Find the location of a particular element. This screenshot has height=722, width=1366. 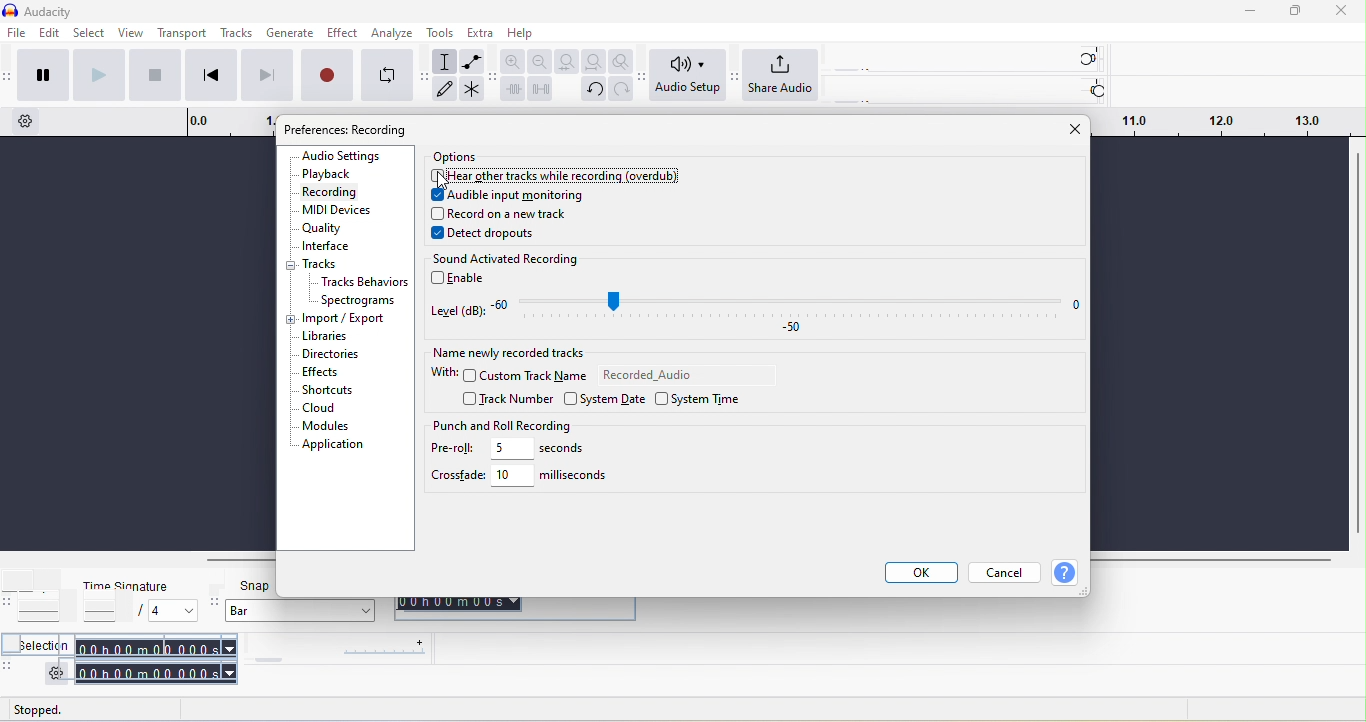

play at speed is located at coordinates (355, 649).